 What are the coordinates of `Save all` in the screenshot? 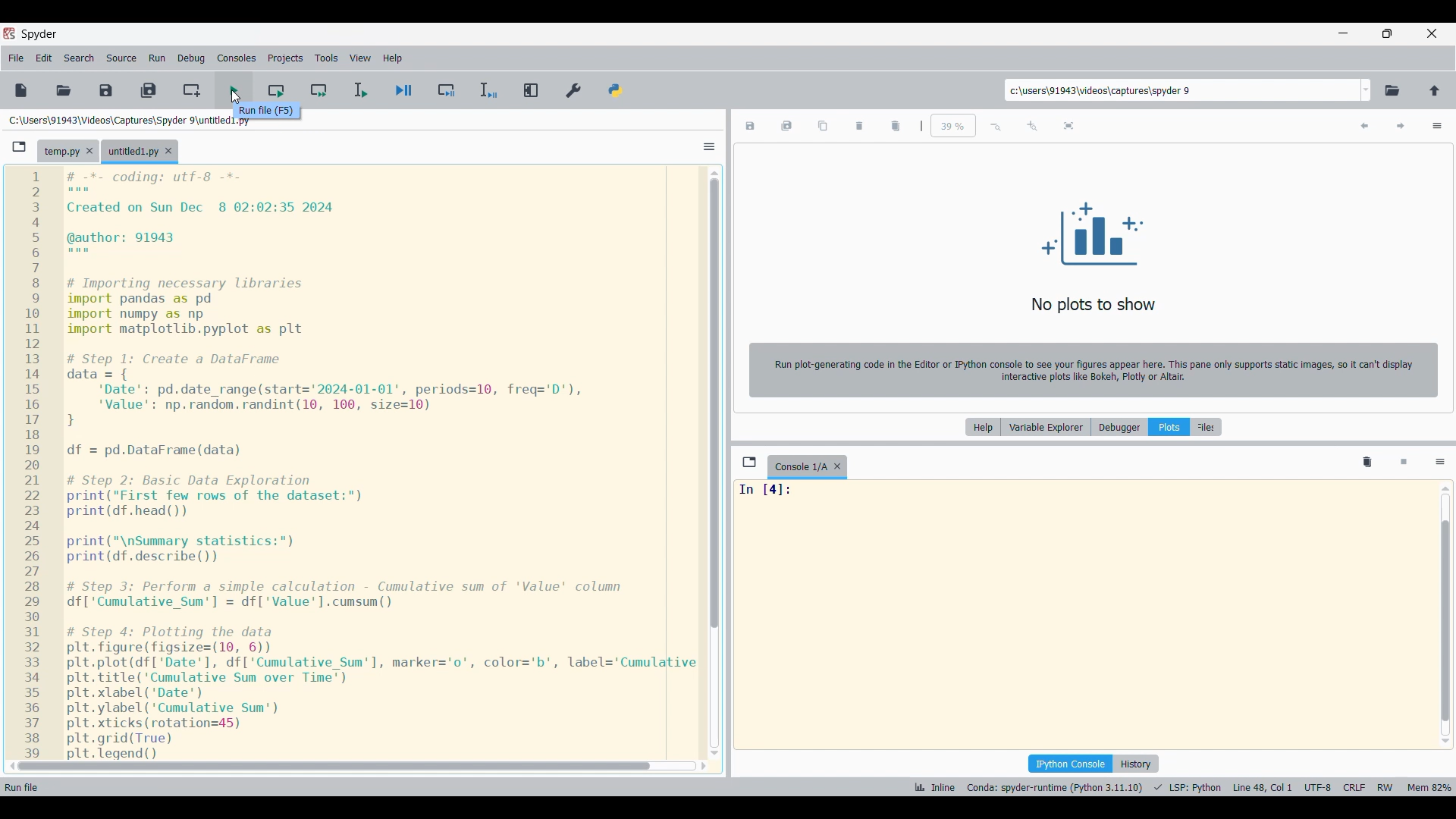 It's located at (149, 91).